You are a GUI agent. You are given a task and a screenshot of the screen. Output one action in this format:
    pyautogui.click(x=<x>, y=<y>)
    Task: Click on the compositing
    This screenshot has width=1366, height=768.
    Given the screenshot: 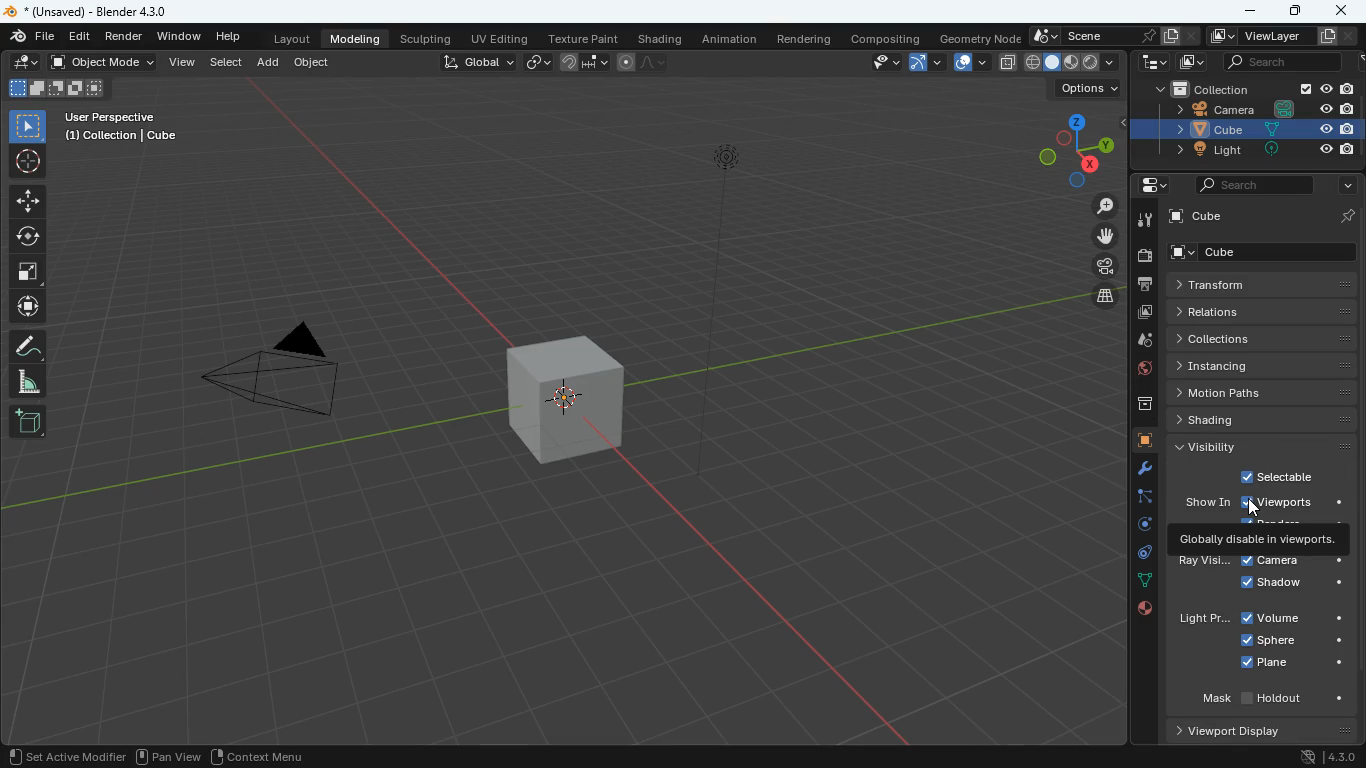 What is the action you would take?
    pyautogui.click(x=884, y=38)
    